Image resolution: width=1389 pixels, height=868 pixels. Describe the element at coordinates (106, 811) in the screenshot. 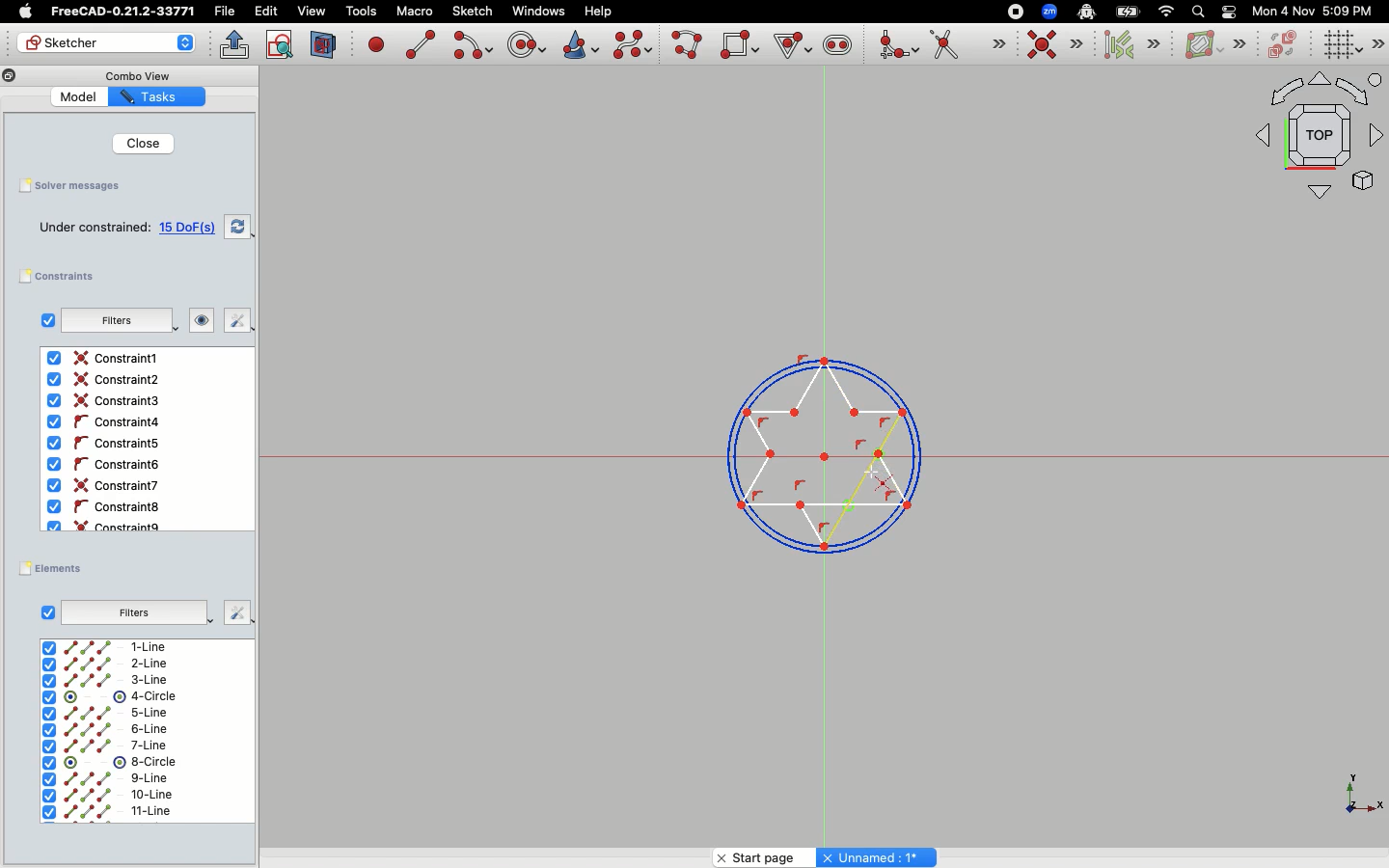

I see `11-line` at that location.